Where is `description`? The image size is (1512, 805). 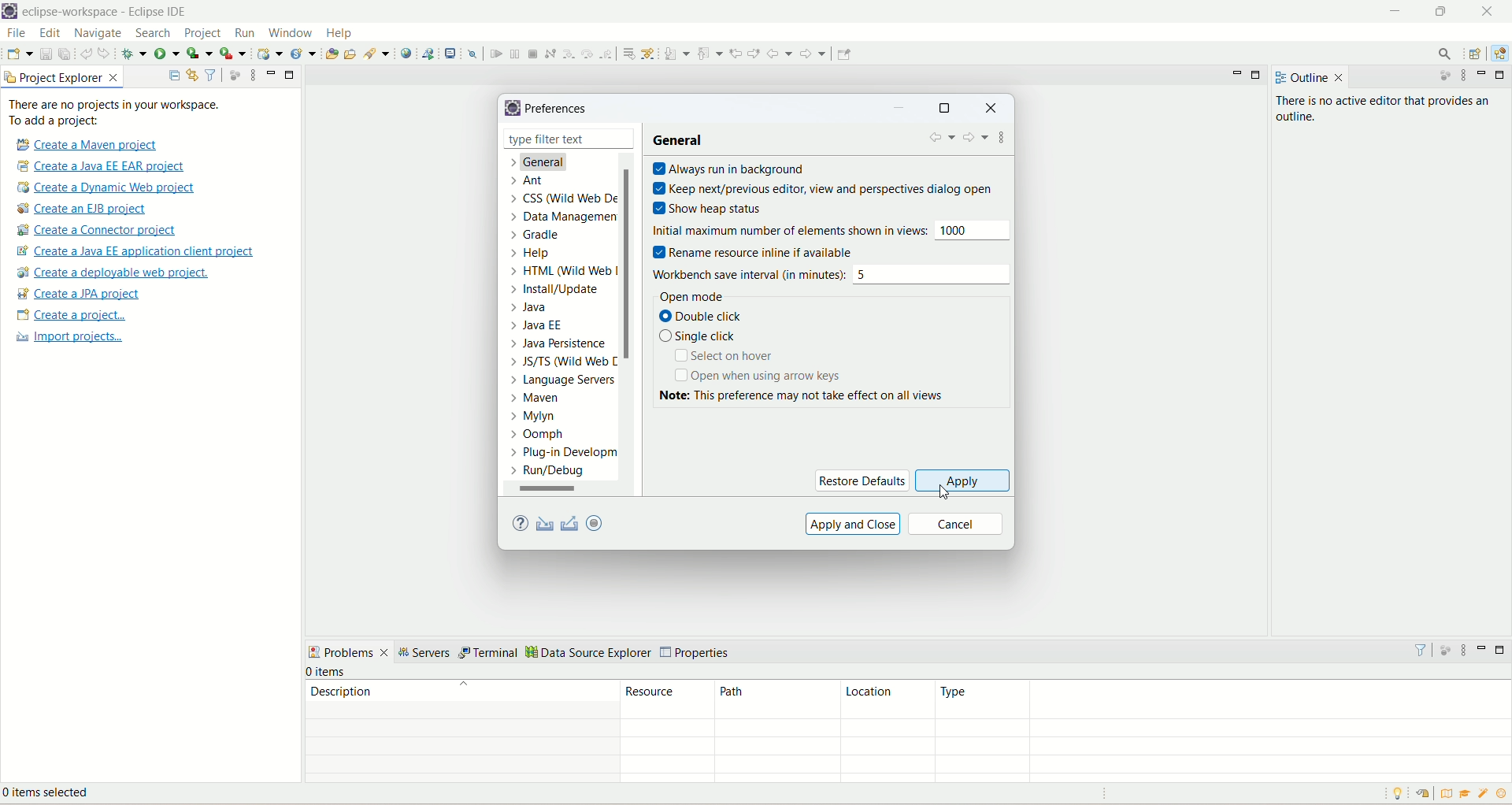
description is located at coordinates (461, 691).